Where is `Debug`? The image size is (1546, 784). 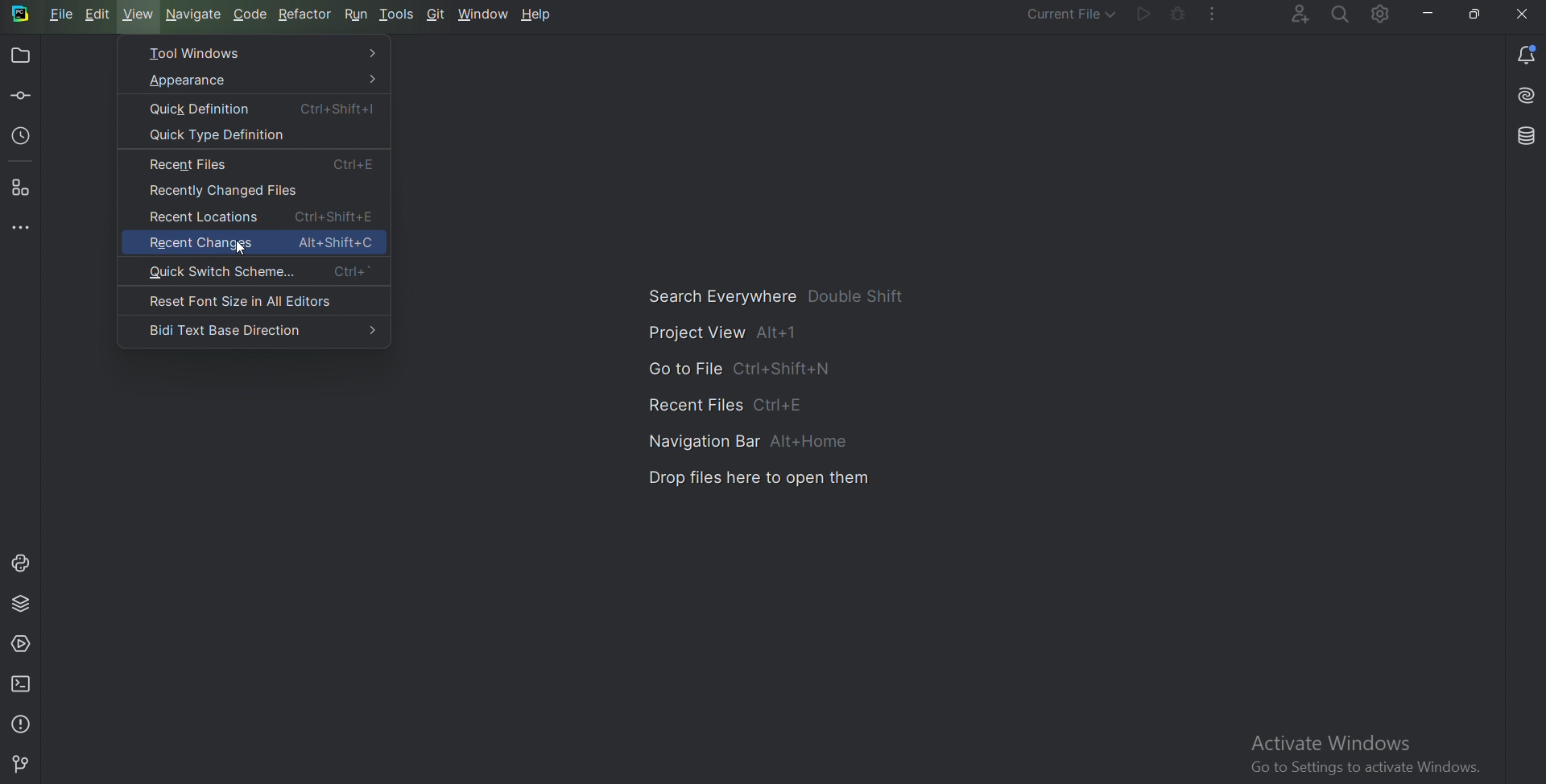 Debug is located at coordinates (1180, 14).